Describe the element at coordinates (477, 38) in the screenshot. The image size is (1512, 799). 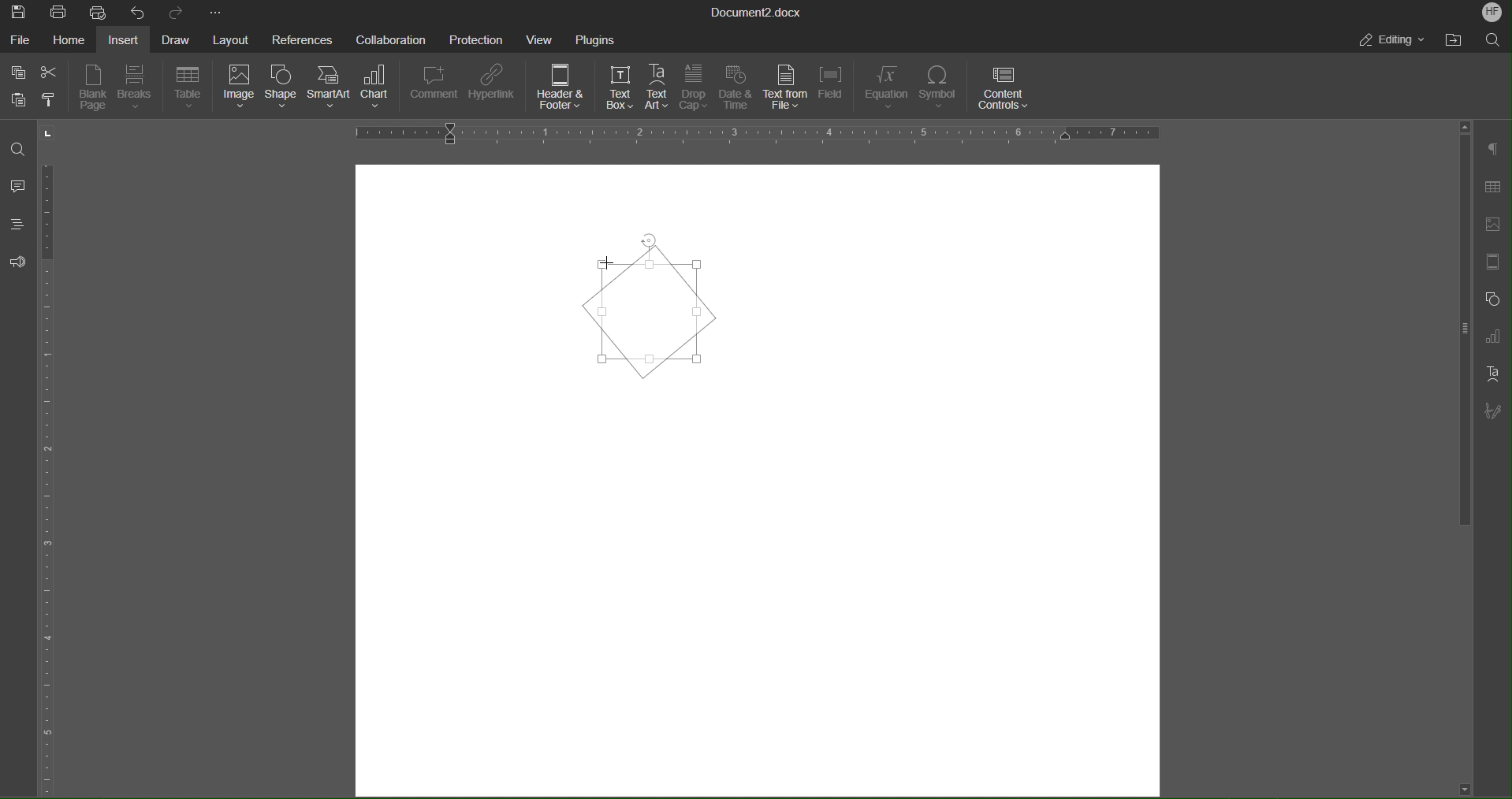
I see `Protection` at that location.